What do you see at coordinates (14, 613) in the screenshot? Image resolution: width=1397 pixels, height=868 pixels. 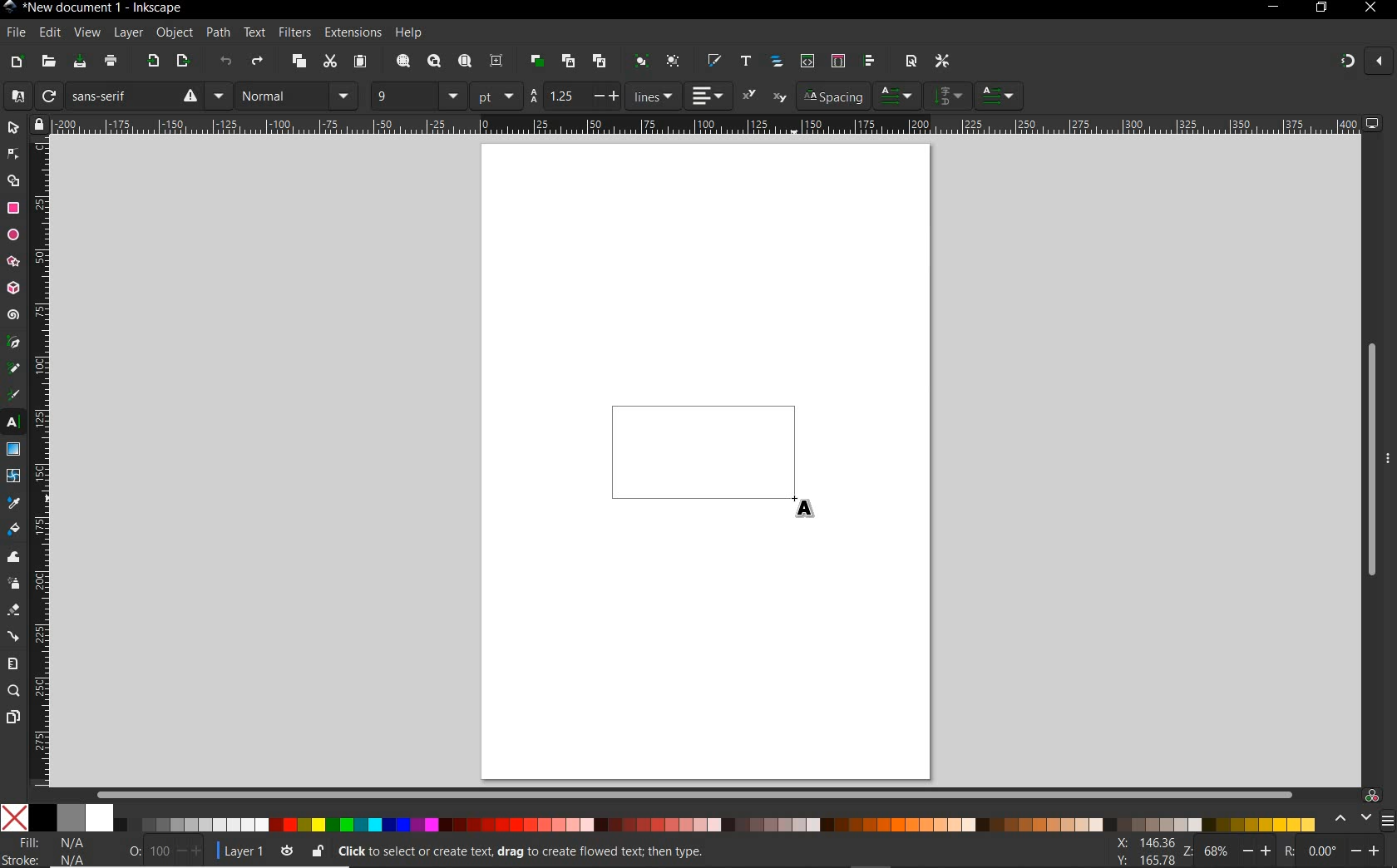 I see `eraser tool` at bounding box center [14, 613].